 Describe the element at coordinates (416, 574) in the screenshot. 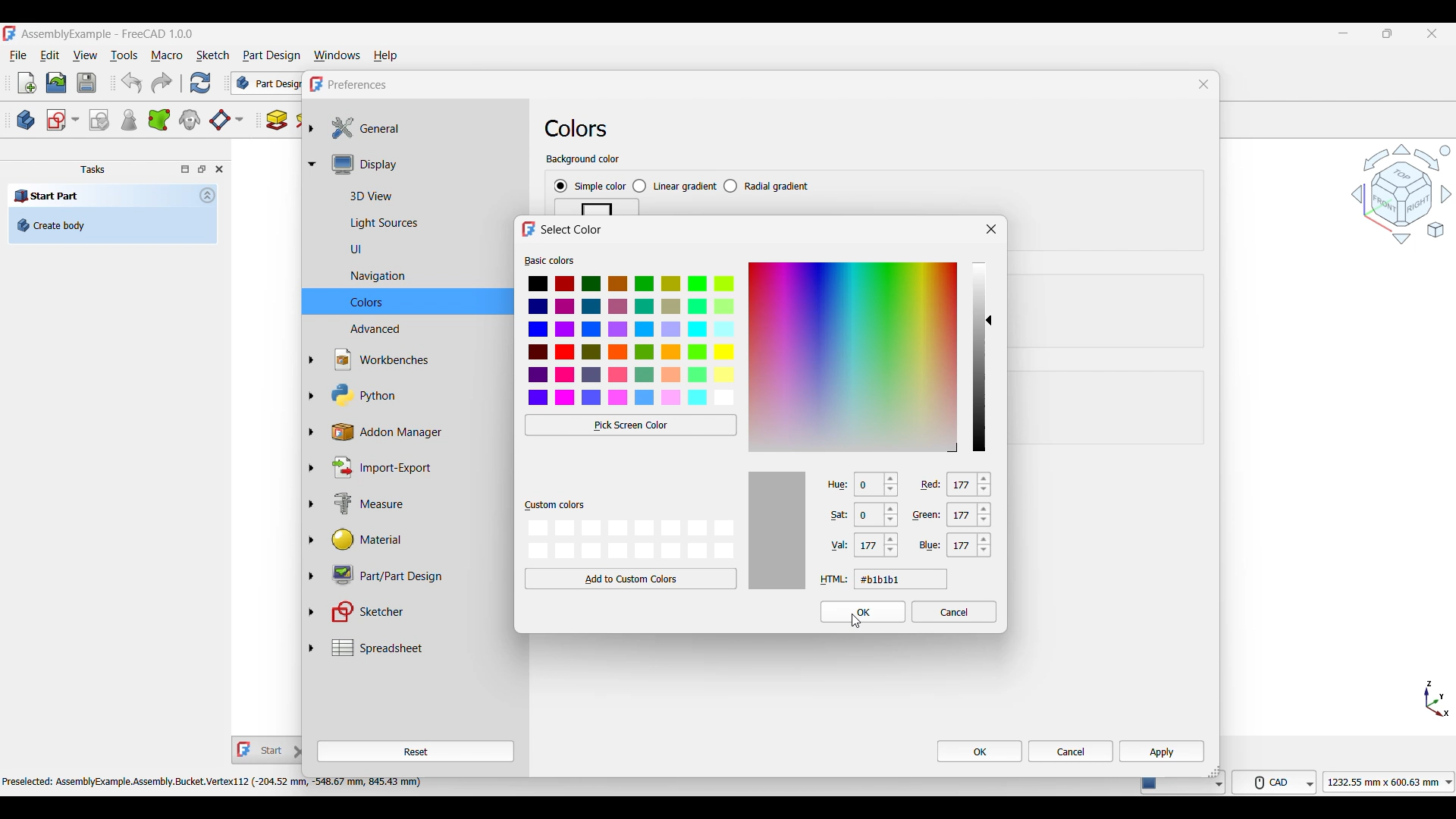

I see `Part/Part design` at that location.